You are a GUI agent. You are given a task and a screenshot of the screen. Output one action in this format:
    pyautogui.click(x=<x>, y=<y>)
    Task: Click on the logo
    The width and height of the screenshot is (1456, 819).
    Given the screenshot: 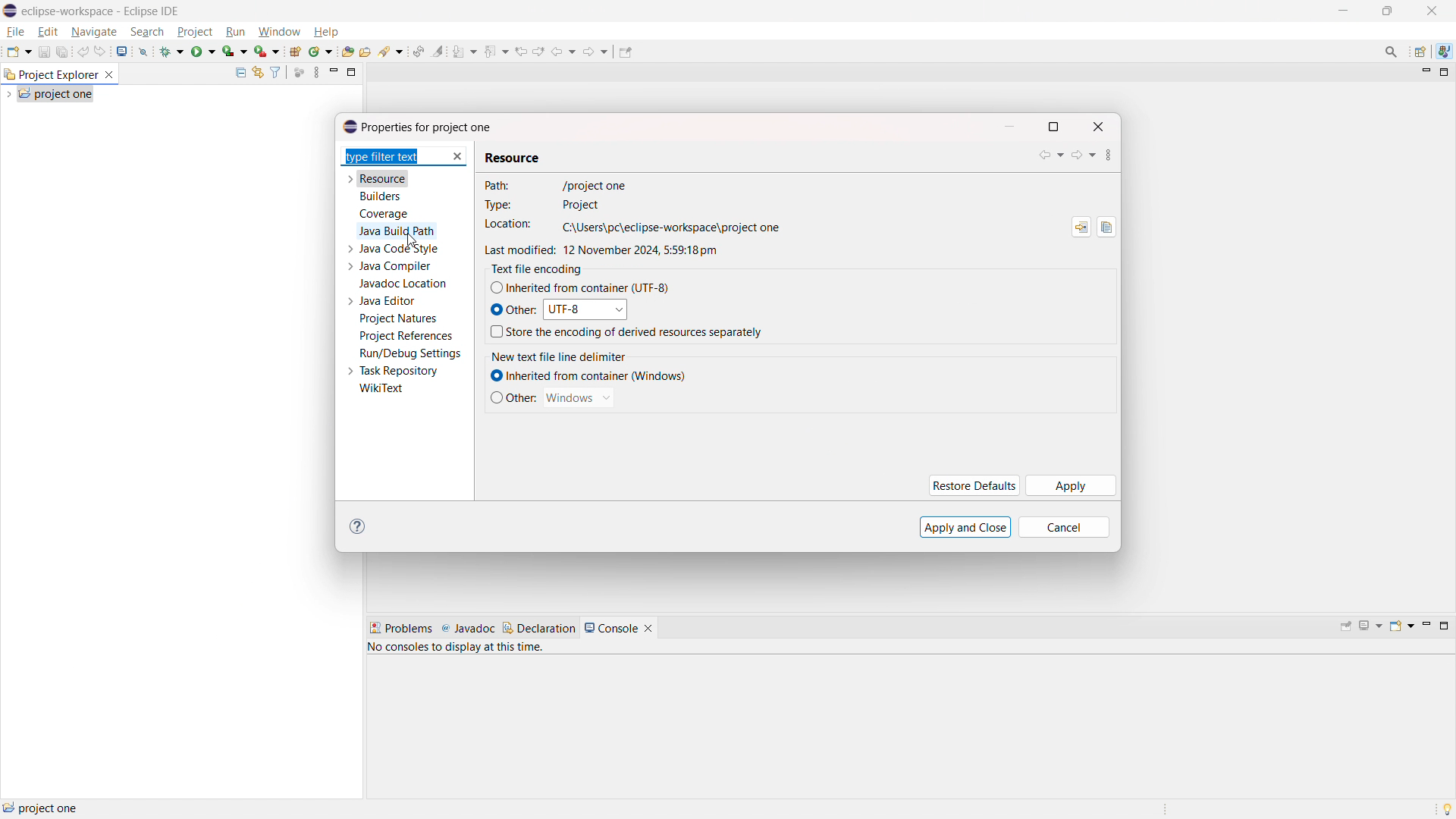 What is the action you would take?
    pyautogui.click(x=11, y=11)
    